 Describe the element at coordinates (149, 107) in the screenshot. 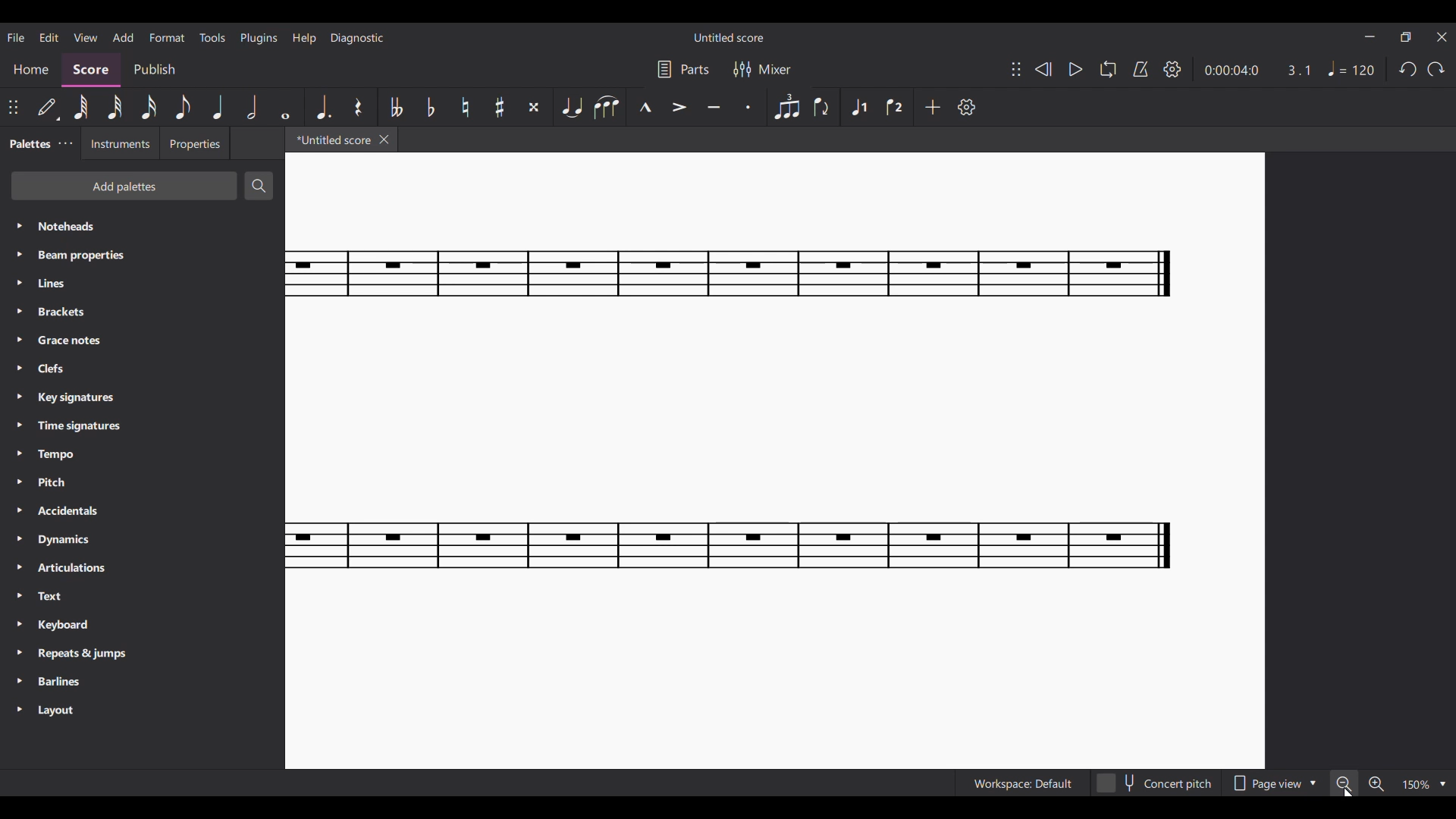

I see `16th note` at that location.